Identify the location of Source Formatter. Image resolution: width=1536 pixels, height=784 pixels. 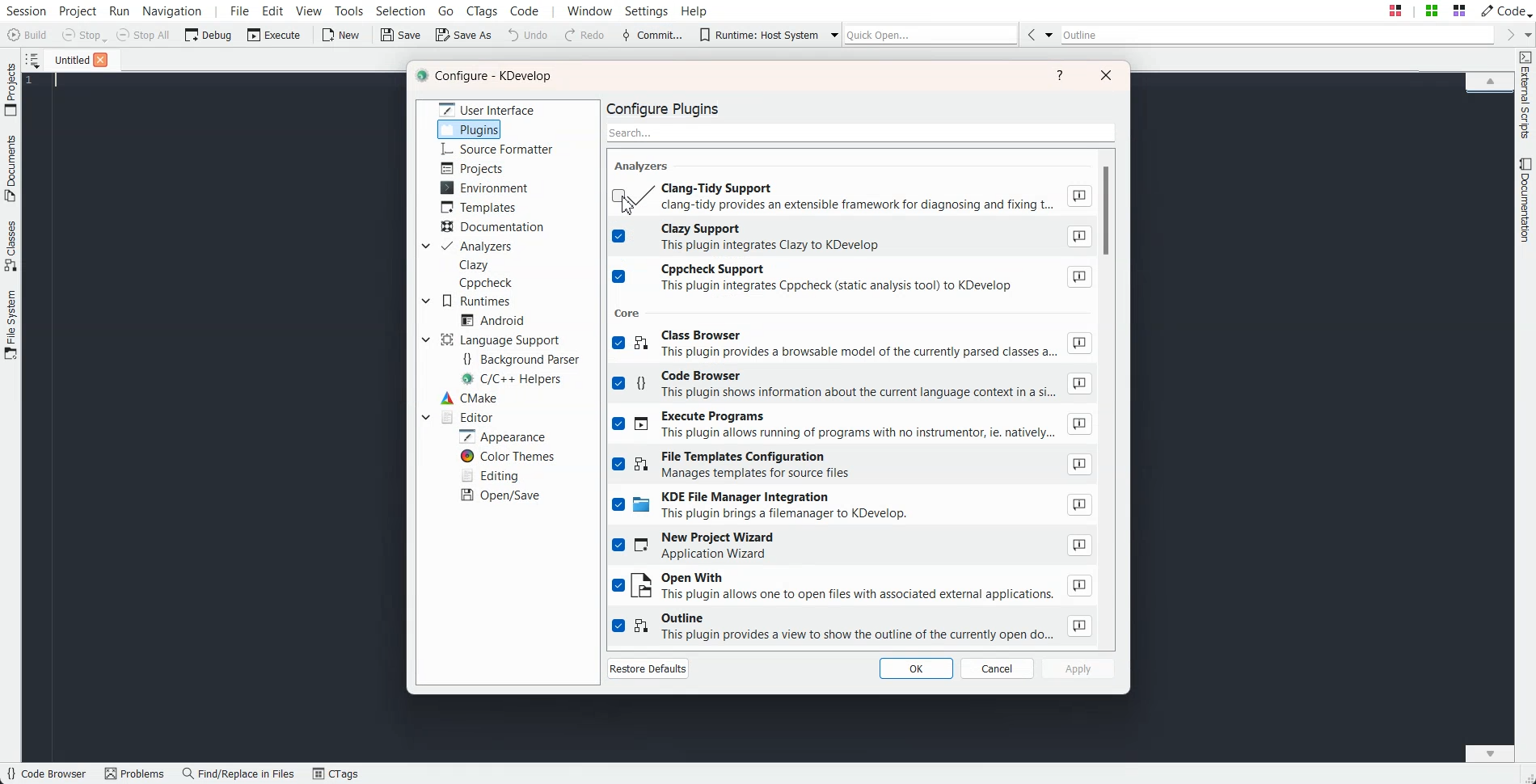
(496, 150).